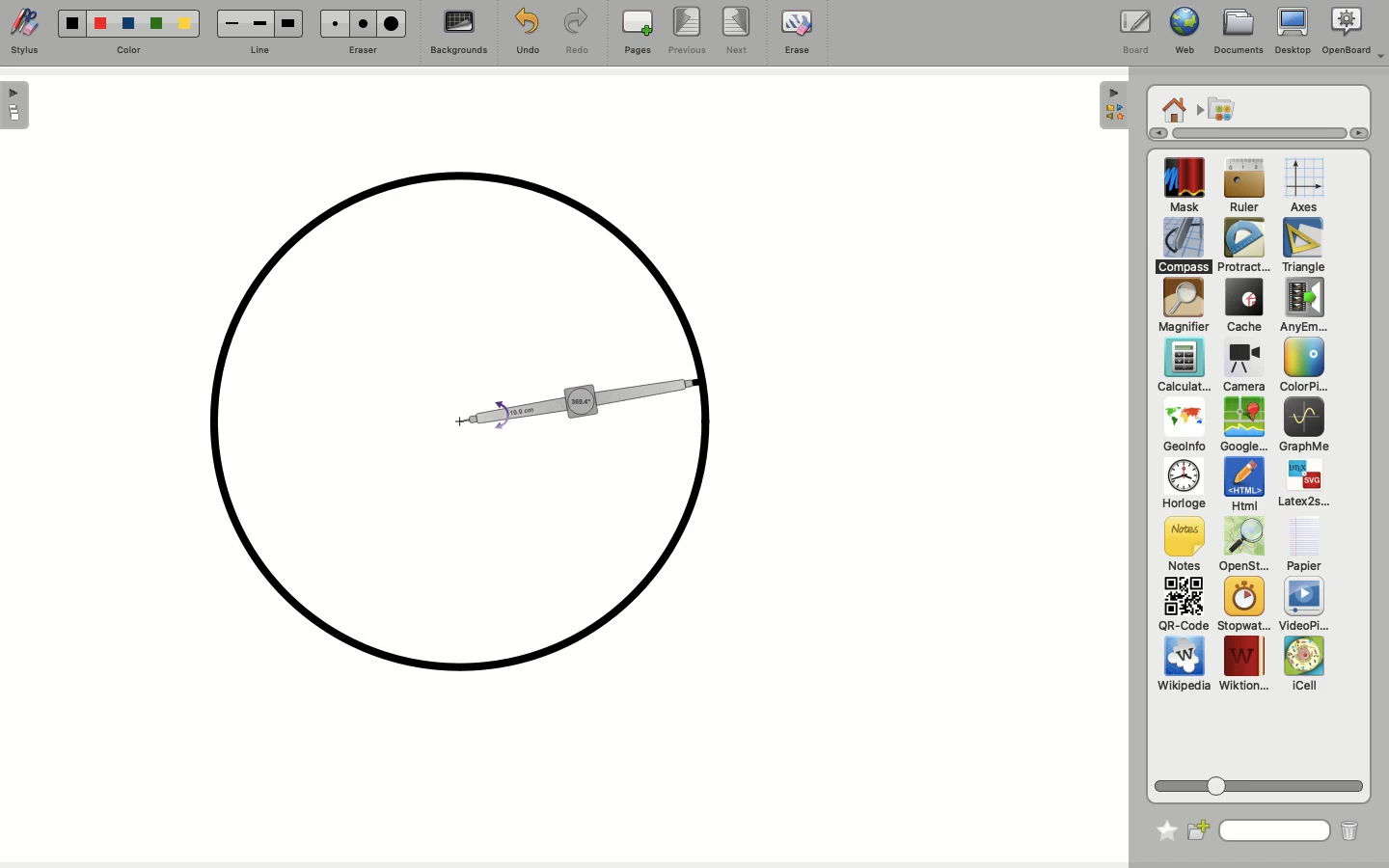 Image resolution: width=1389 pixels, height=868 pixels. Describe the element at coordinates (1250, 133) in the screenshot. I see `Scroll` at that location.